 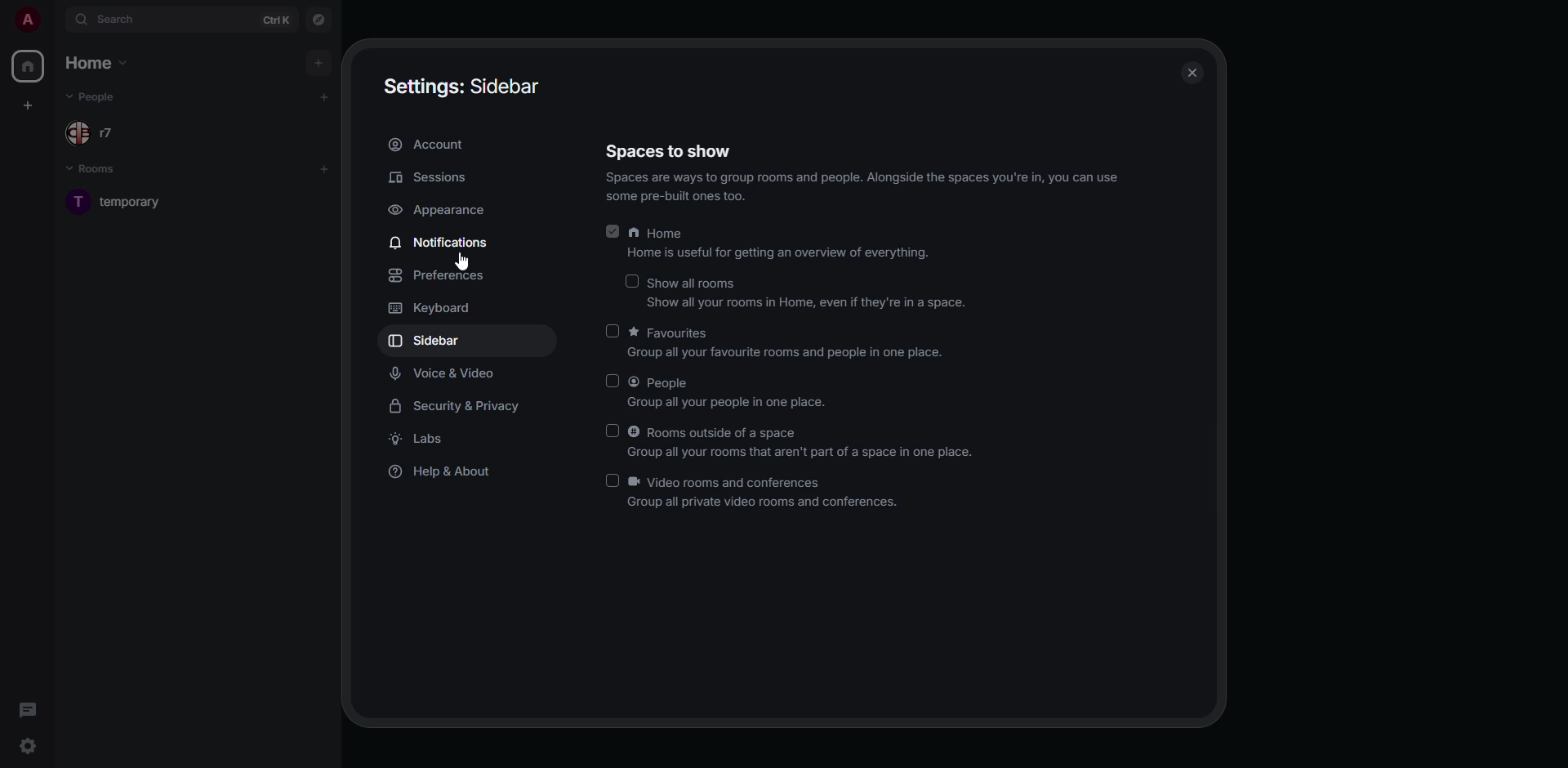 What do you see at coordinates (671, 151) in the screenshot?
I see `spaces to show` at bounding box center [671, 151].